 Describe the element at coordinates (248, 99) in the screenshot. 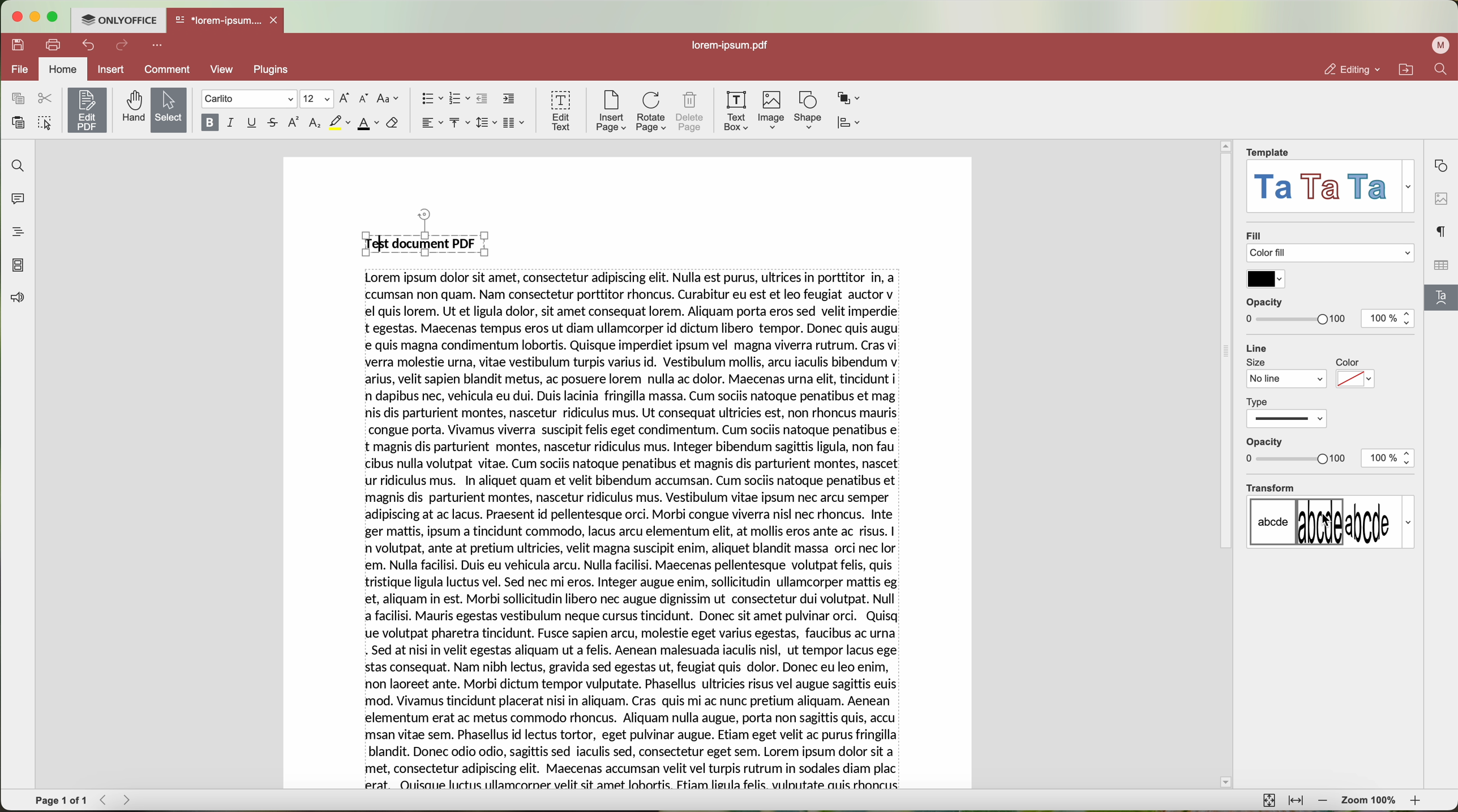

I see `font type` at that location.